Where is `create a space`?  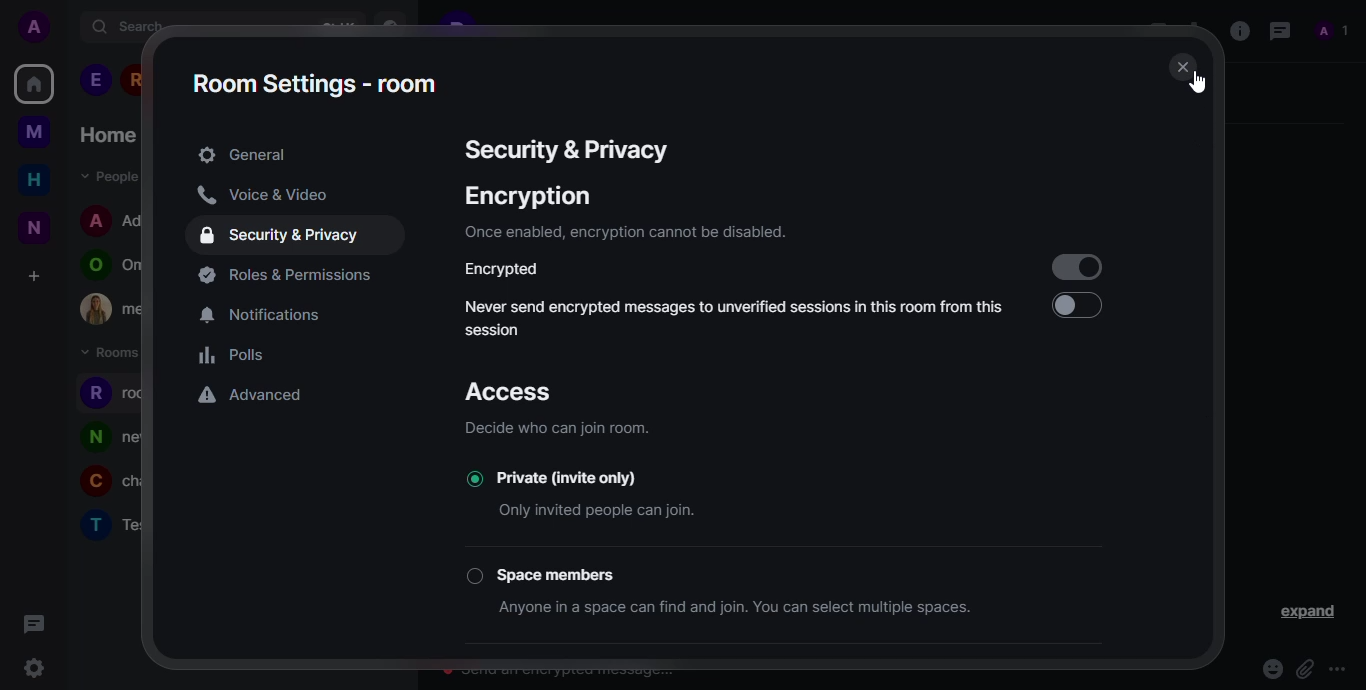 create a space is located at coordinates (35, 276).